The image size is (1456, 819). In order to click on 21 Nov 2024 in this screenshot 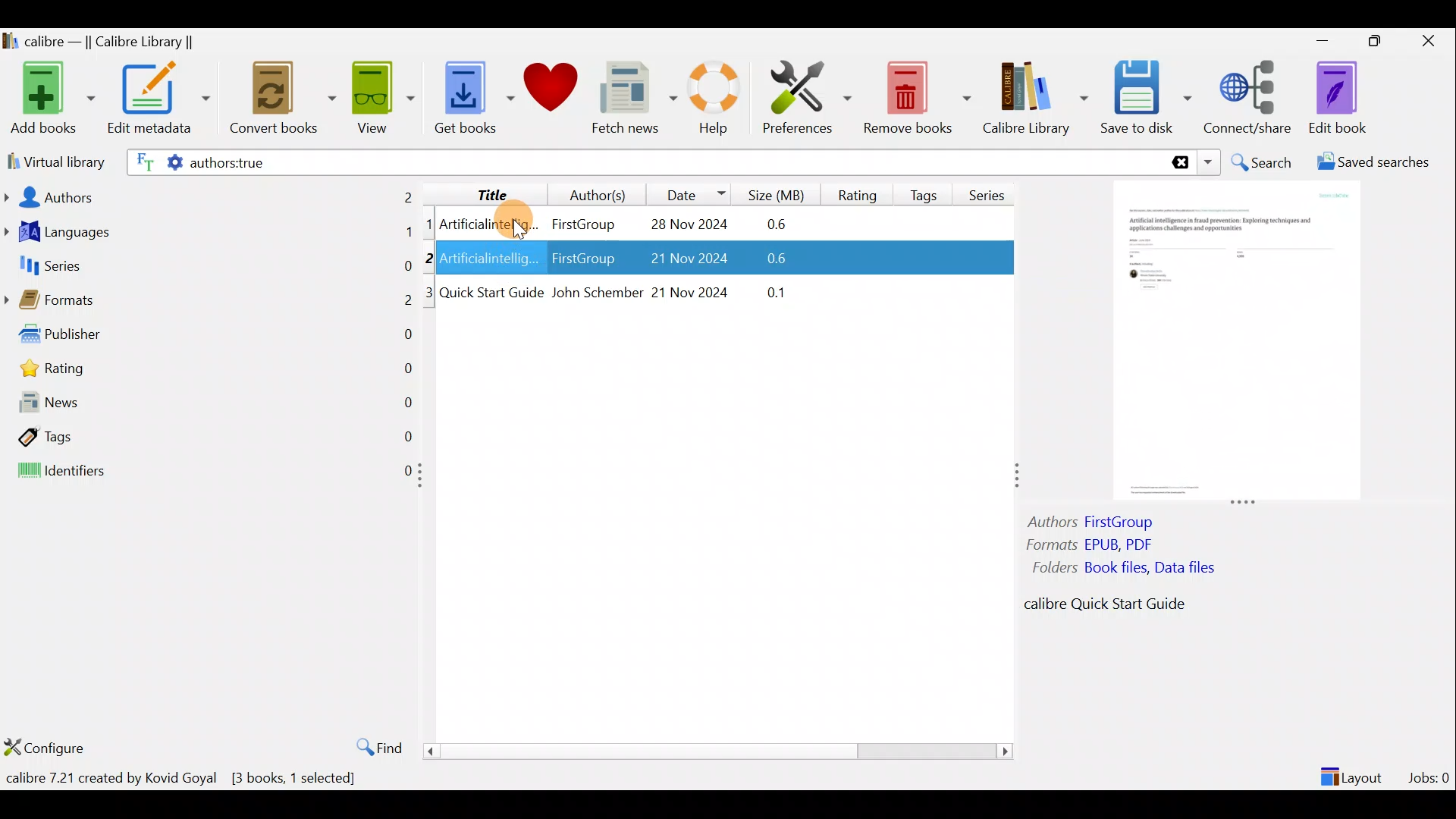, I will do `click(692, 290)`.